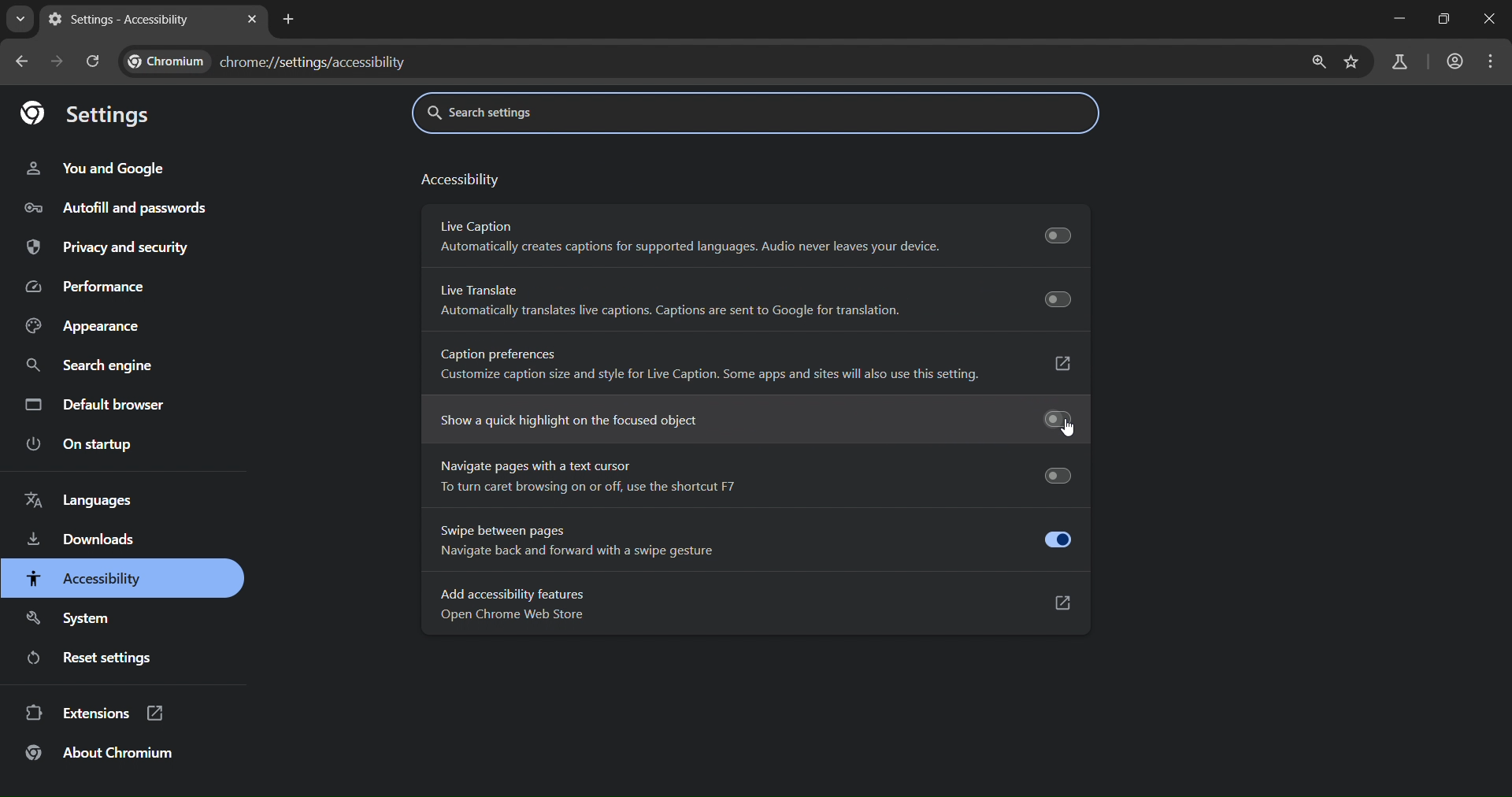 Image resolution: width=1512 pixels, height=797 pixels. Describe the element at coordinates (687, 236) in the screenshot. I see `live caption` at that location.